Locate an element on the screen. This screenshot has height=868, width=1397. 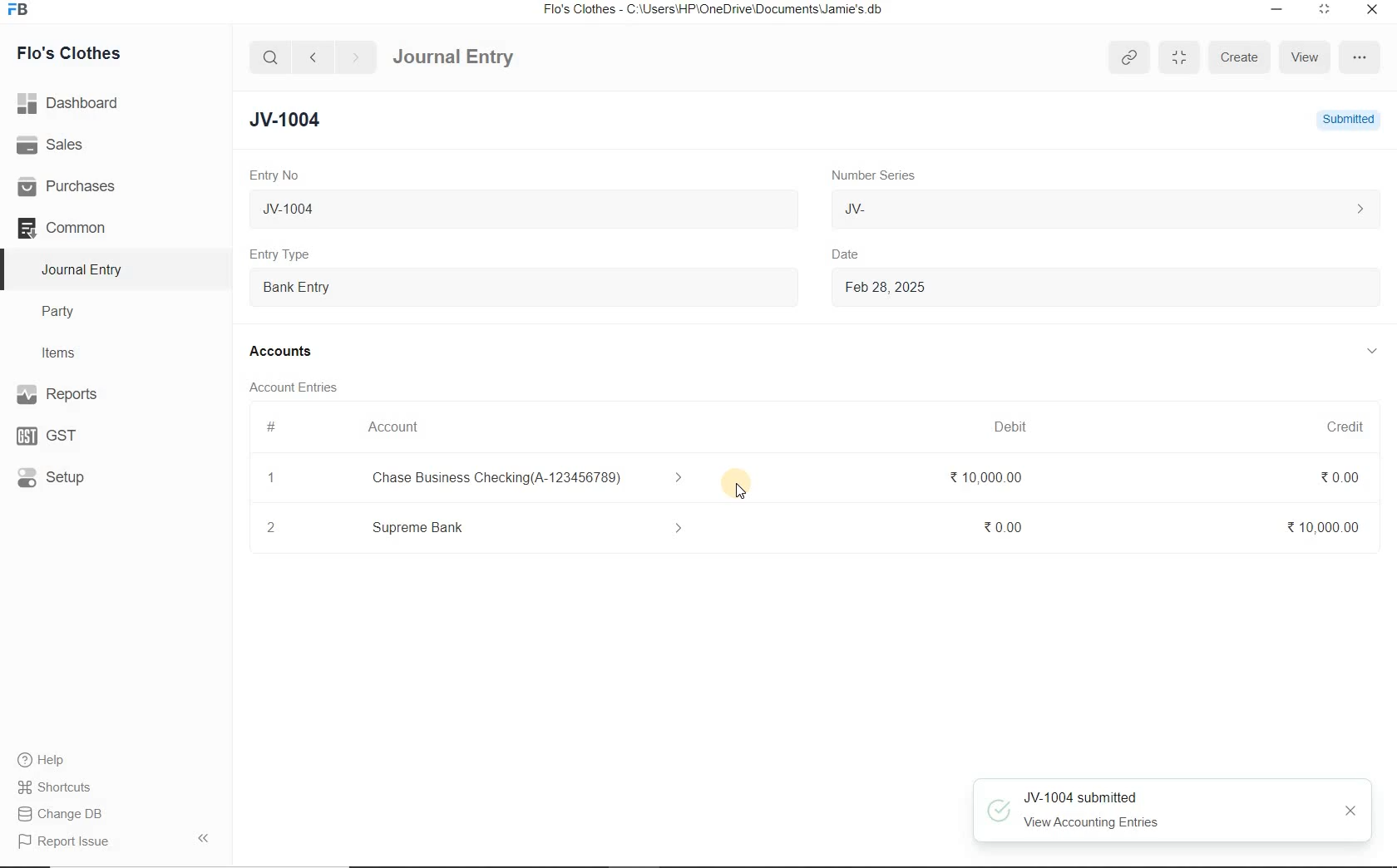
minimize is located at coordinates (1275, 8).